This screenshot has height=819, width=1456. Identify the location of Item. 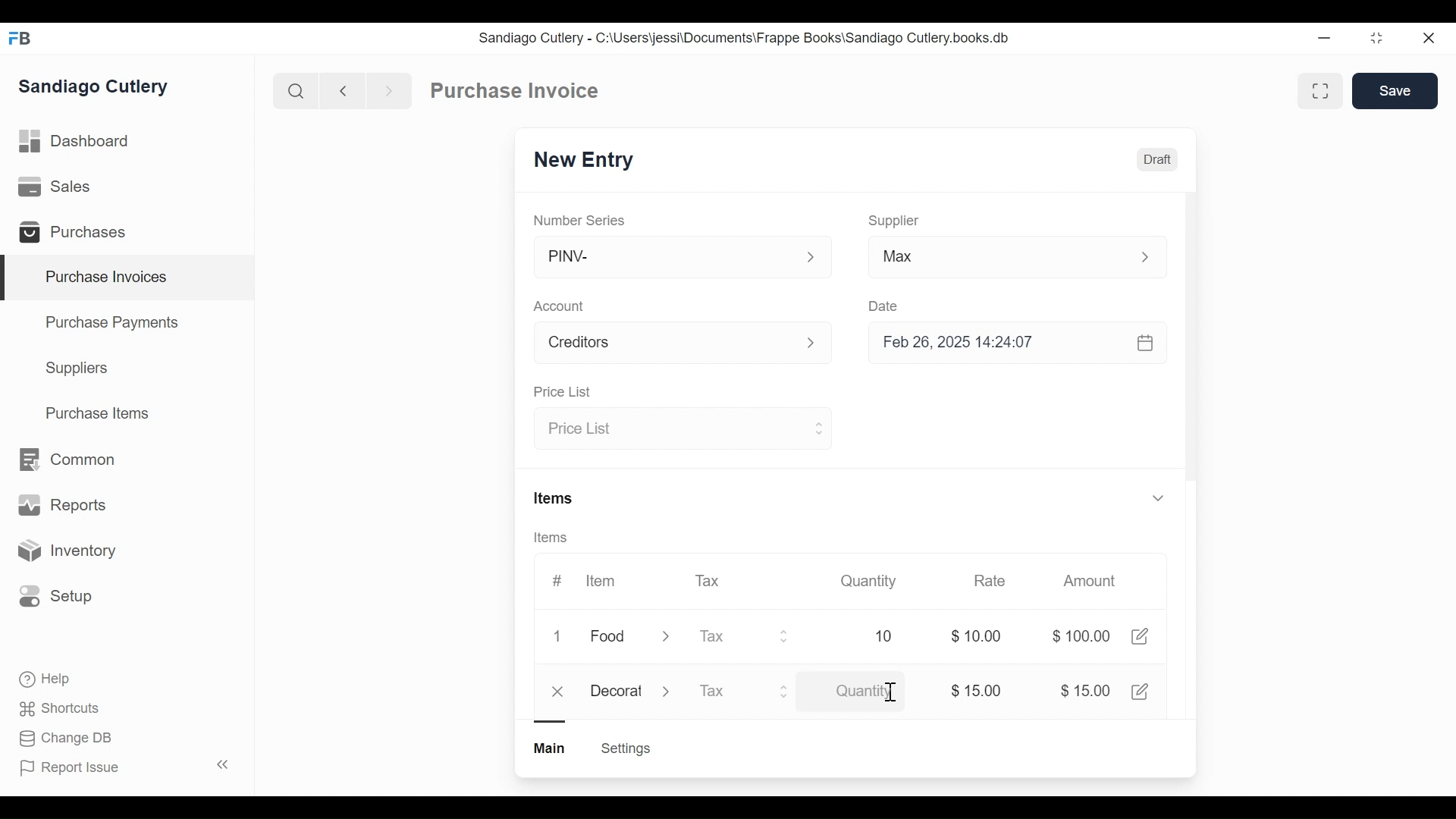
(599, 581).